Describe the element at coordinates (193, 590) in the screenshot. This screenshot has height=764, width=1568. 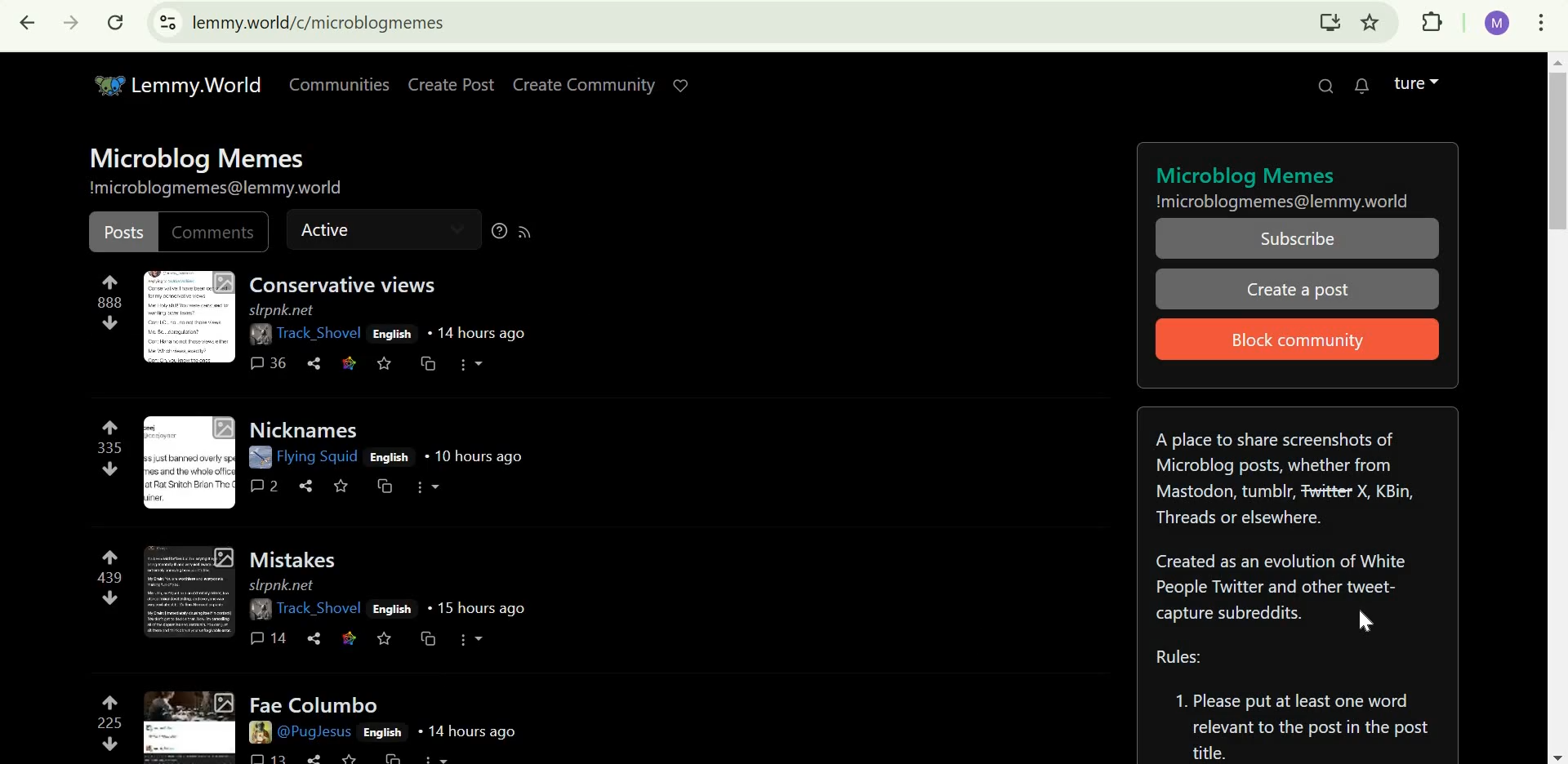
I see `expand here` at that location.